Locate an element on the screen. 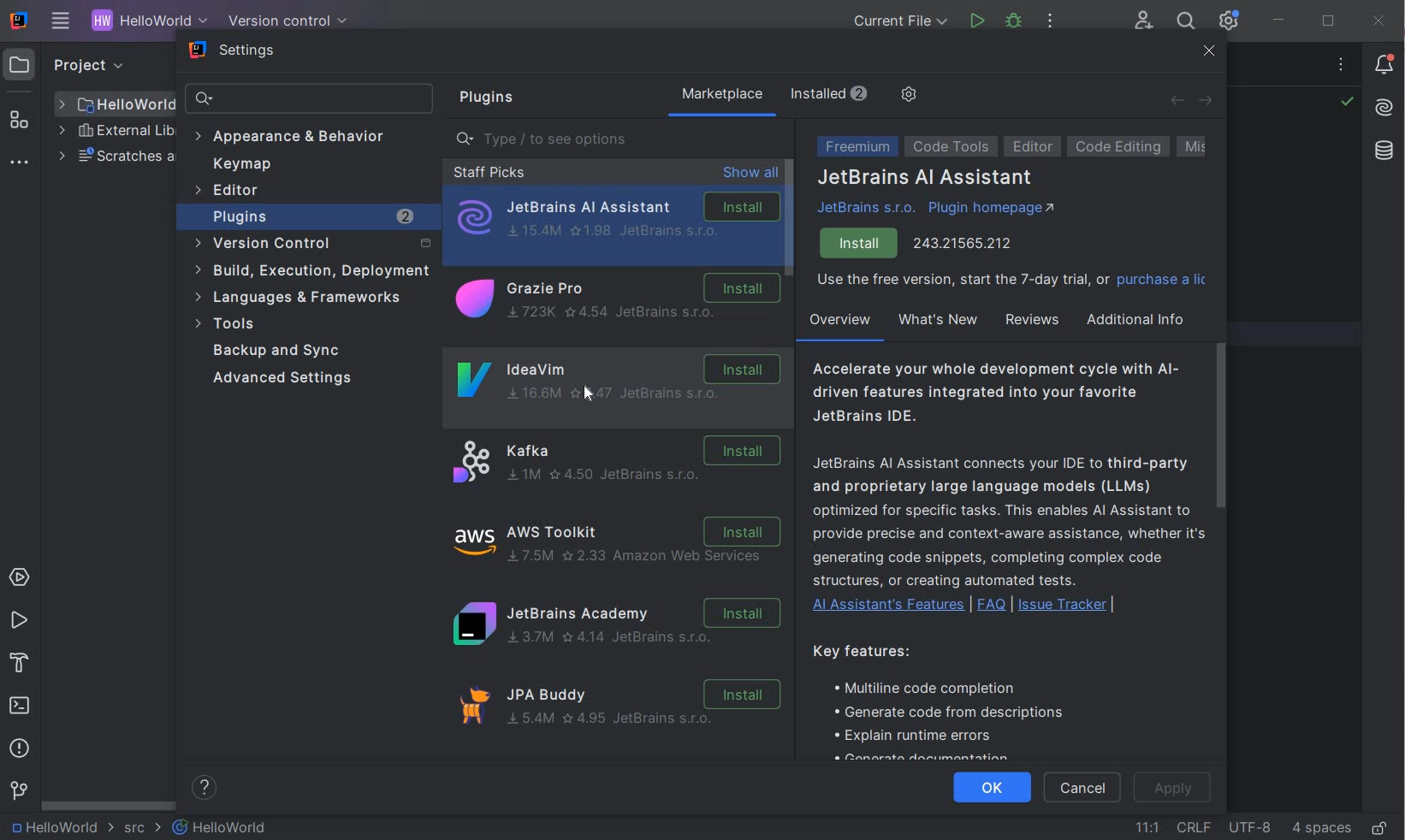  PROBLEMS is located at coordinates (20, 751).